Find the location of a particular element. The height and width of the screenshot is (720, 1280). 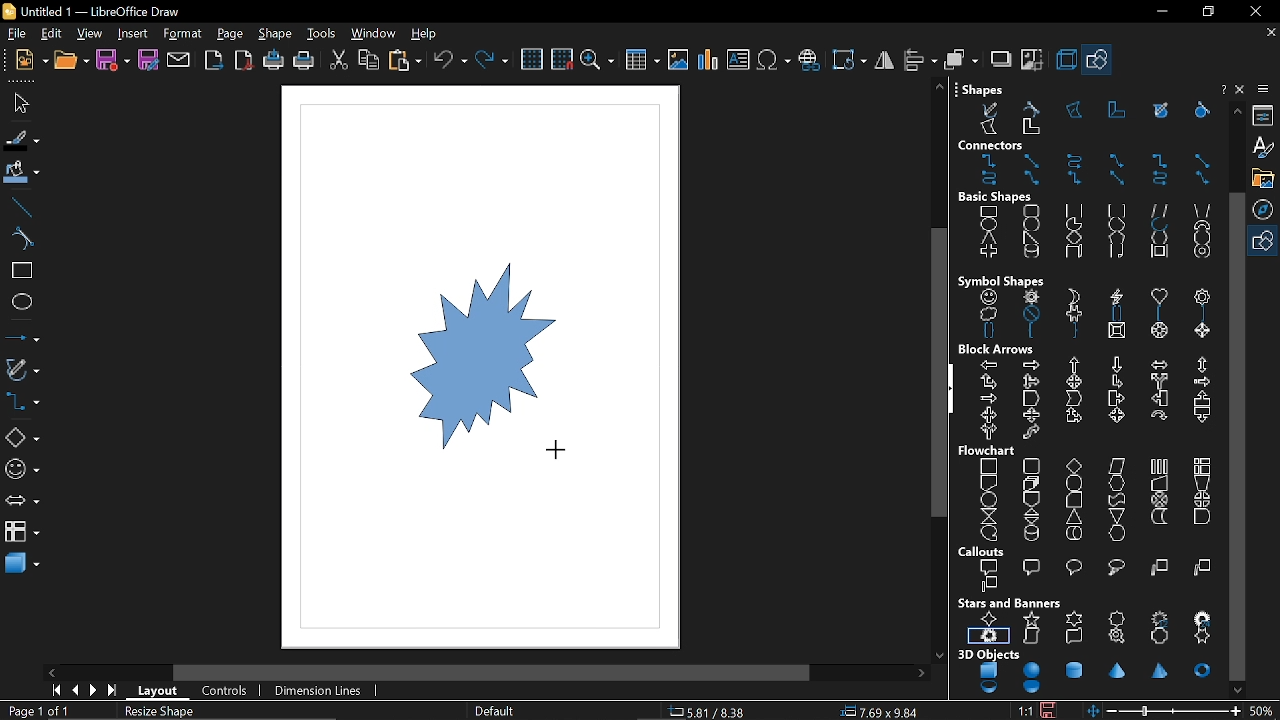

save as is located at coordinates (148, 60).